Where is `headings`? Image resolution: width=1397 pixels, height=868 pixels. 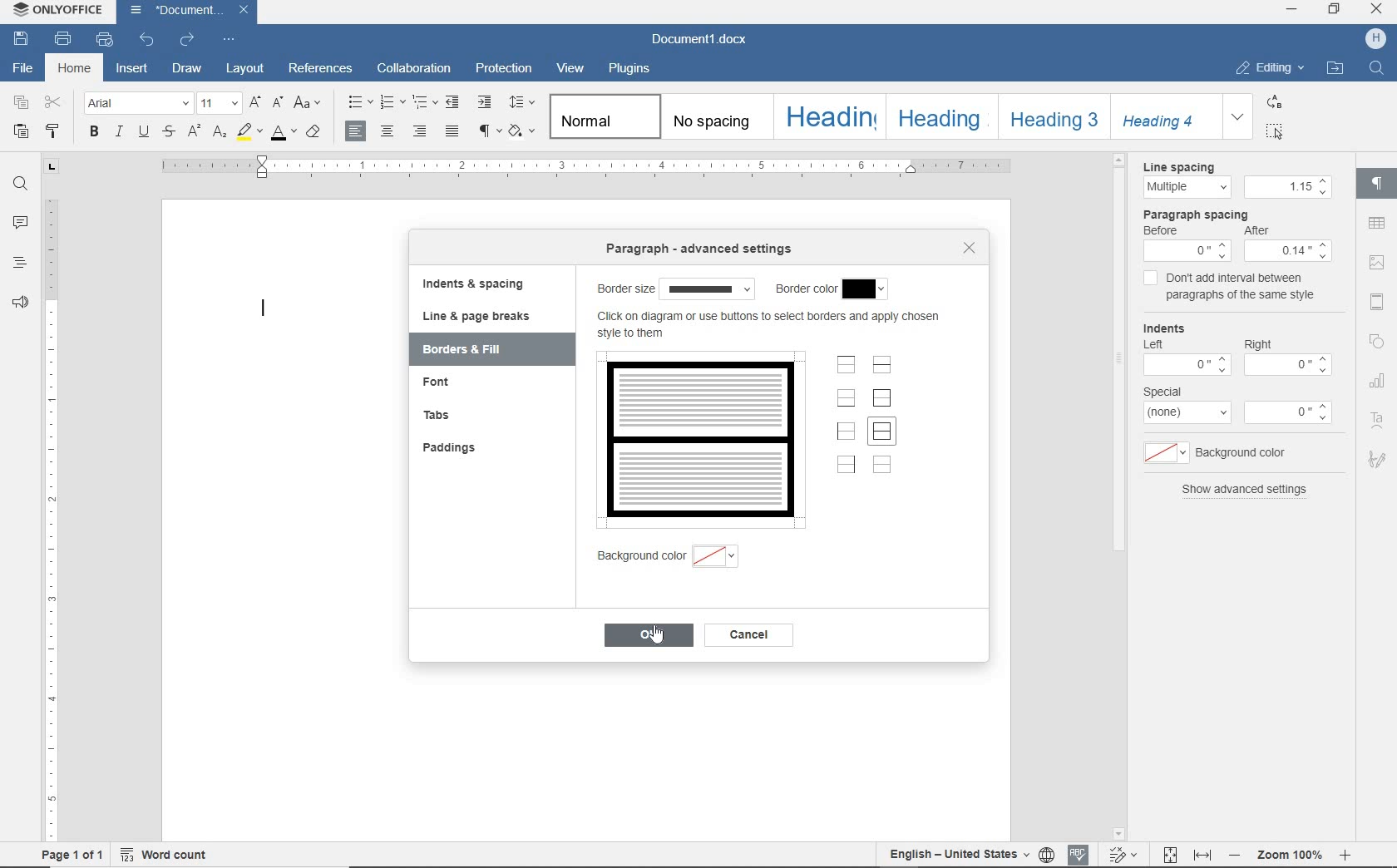
headings is located at coordinates (19, 262).